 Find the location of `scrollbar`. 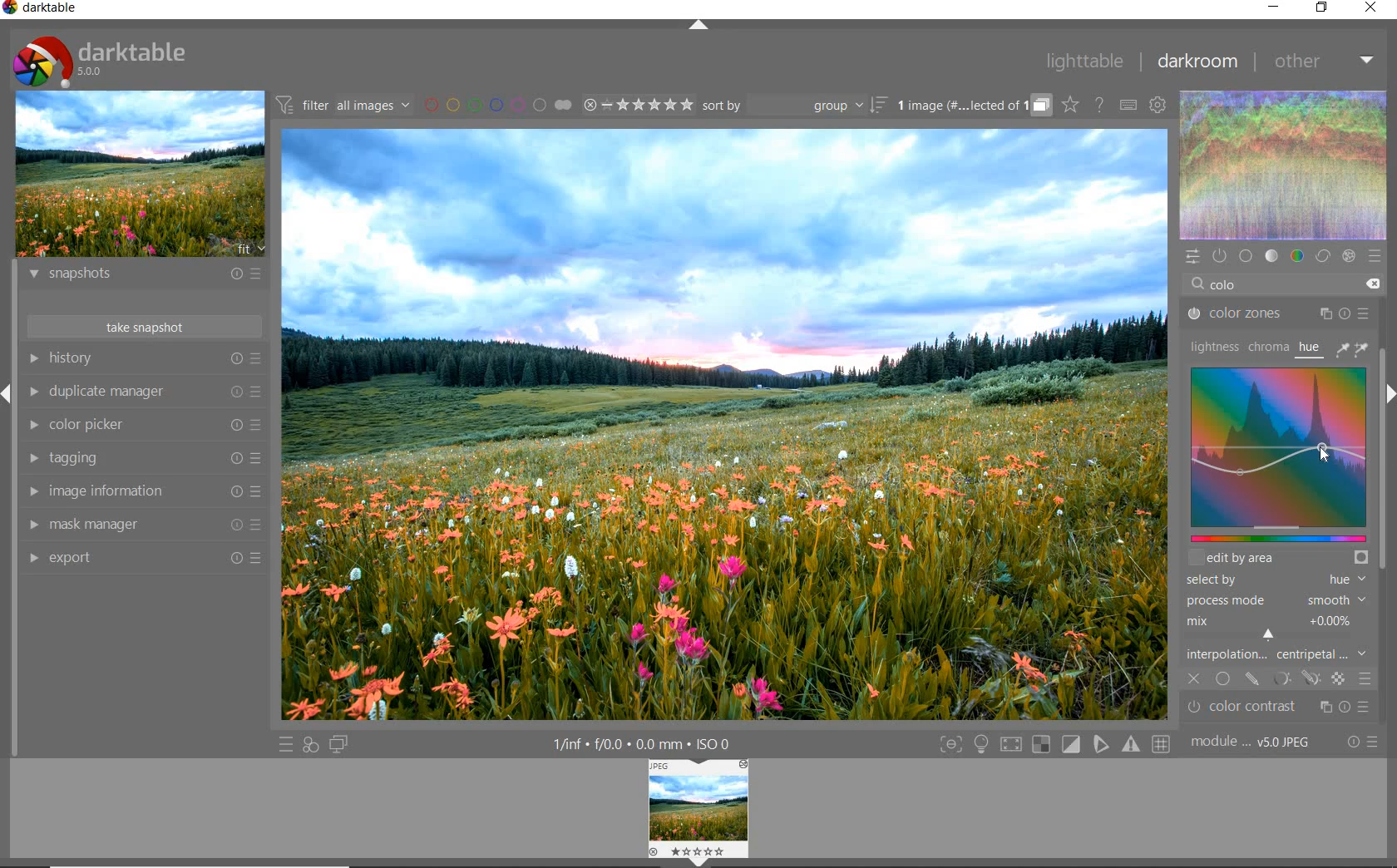

scrollbar is located at coordinates (1382, 525).